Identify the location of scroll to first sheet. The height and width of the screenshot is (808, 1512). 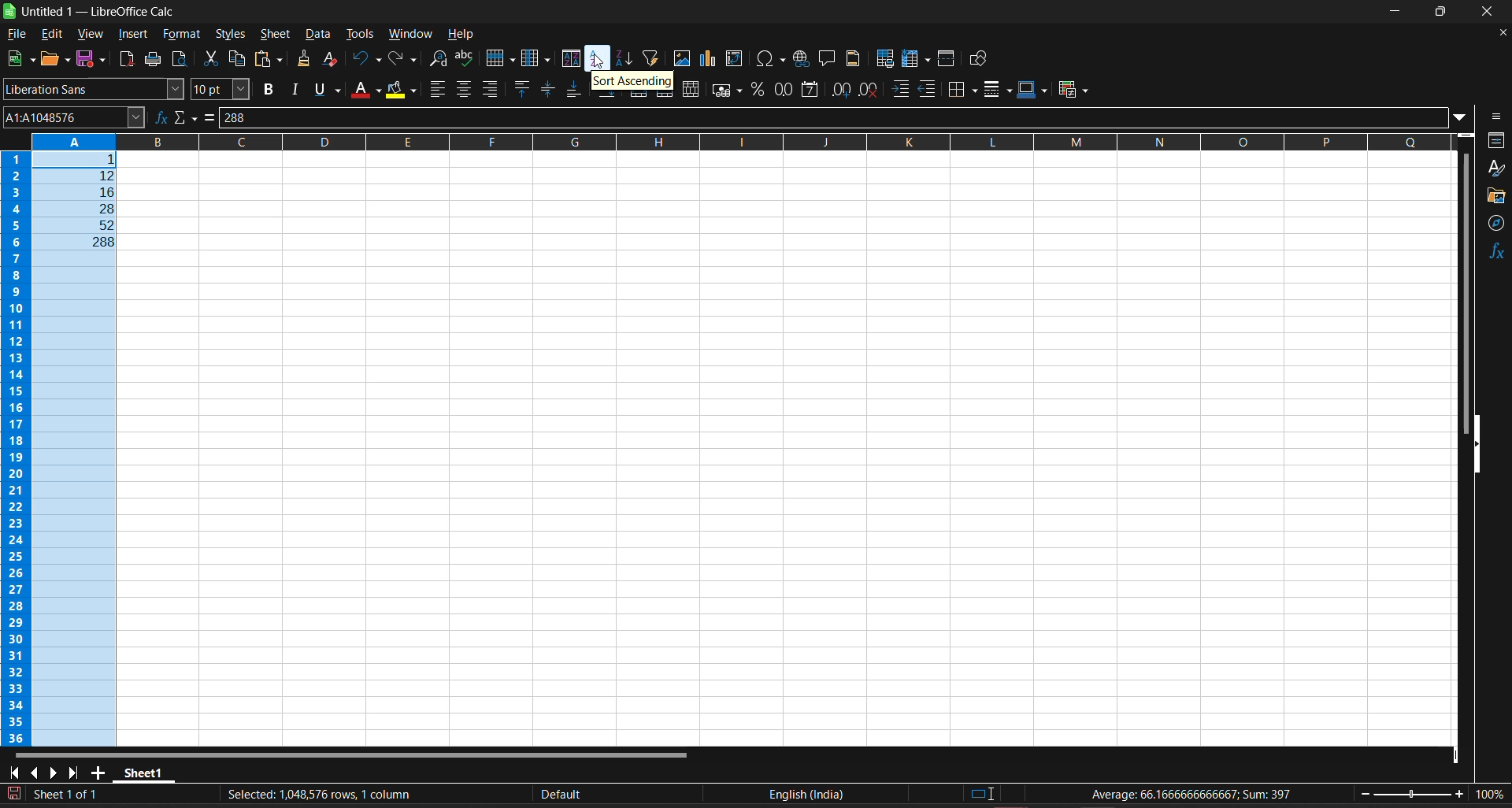
(13, 771).